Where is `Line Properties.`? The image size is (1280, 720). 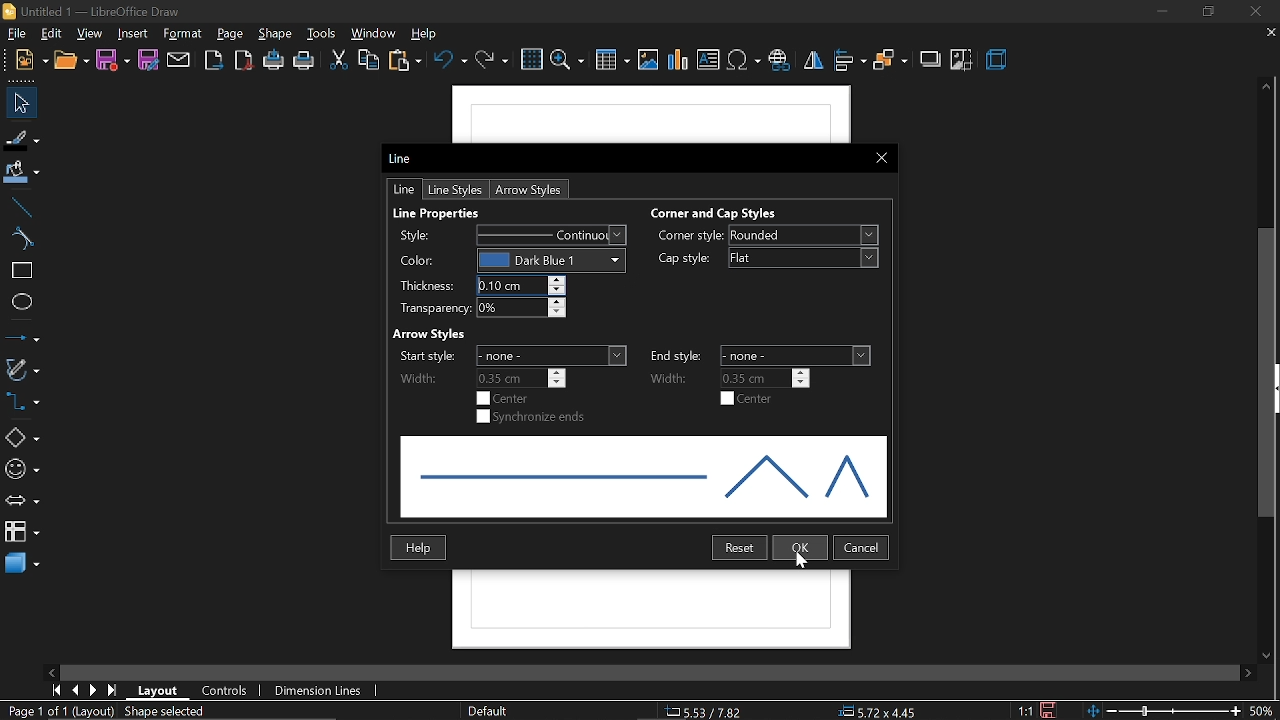
Line Properties. is located at coordinates (439, 210).